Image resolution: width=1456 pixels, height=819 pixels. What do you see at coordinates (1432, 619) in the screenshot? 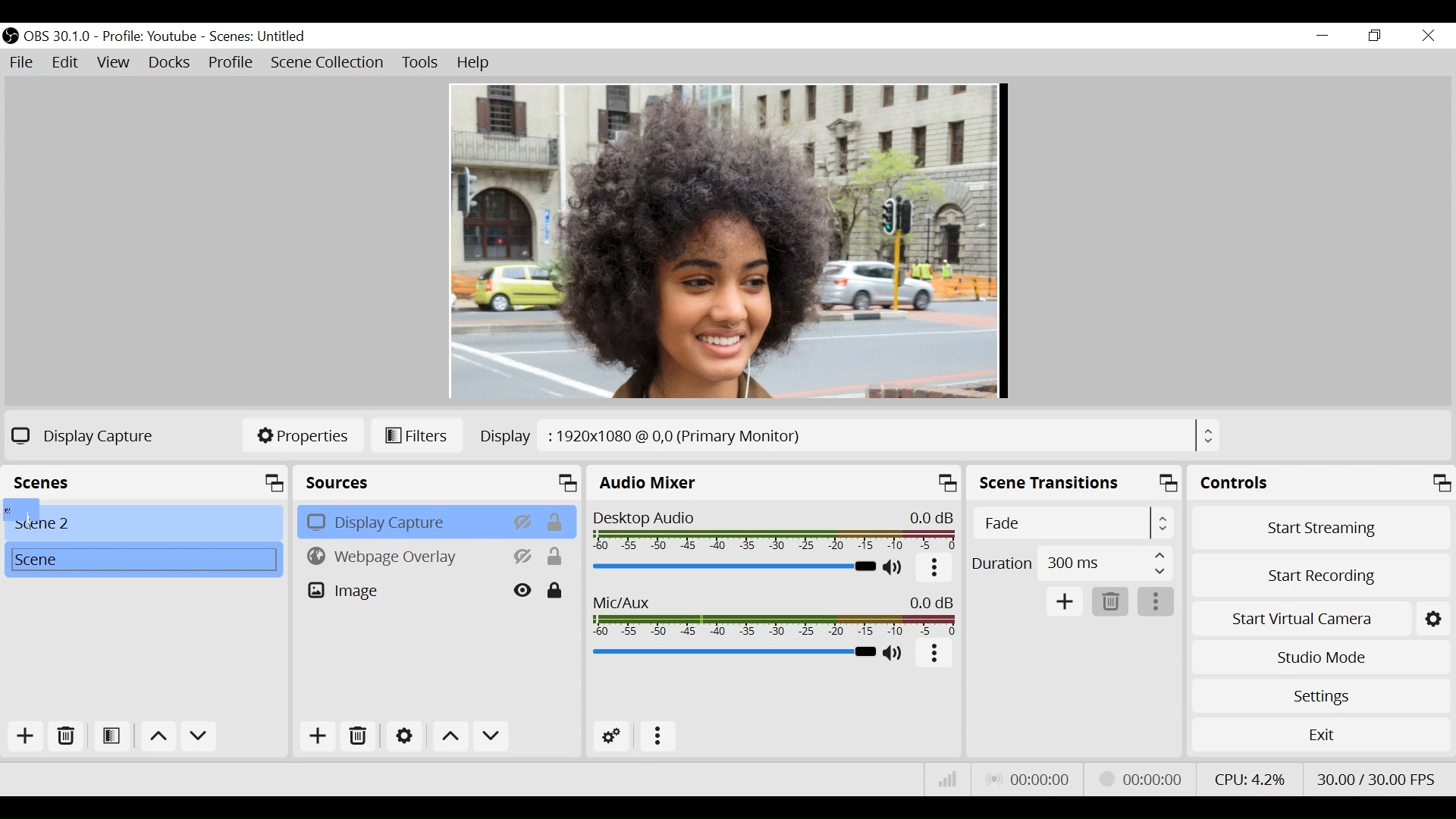
I see `Settings` at bounding box center [1432, 619].